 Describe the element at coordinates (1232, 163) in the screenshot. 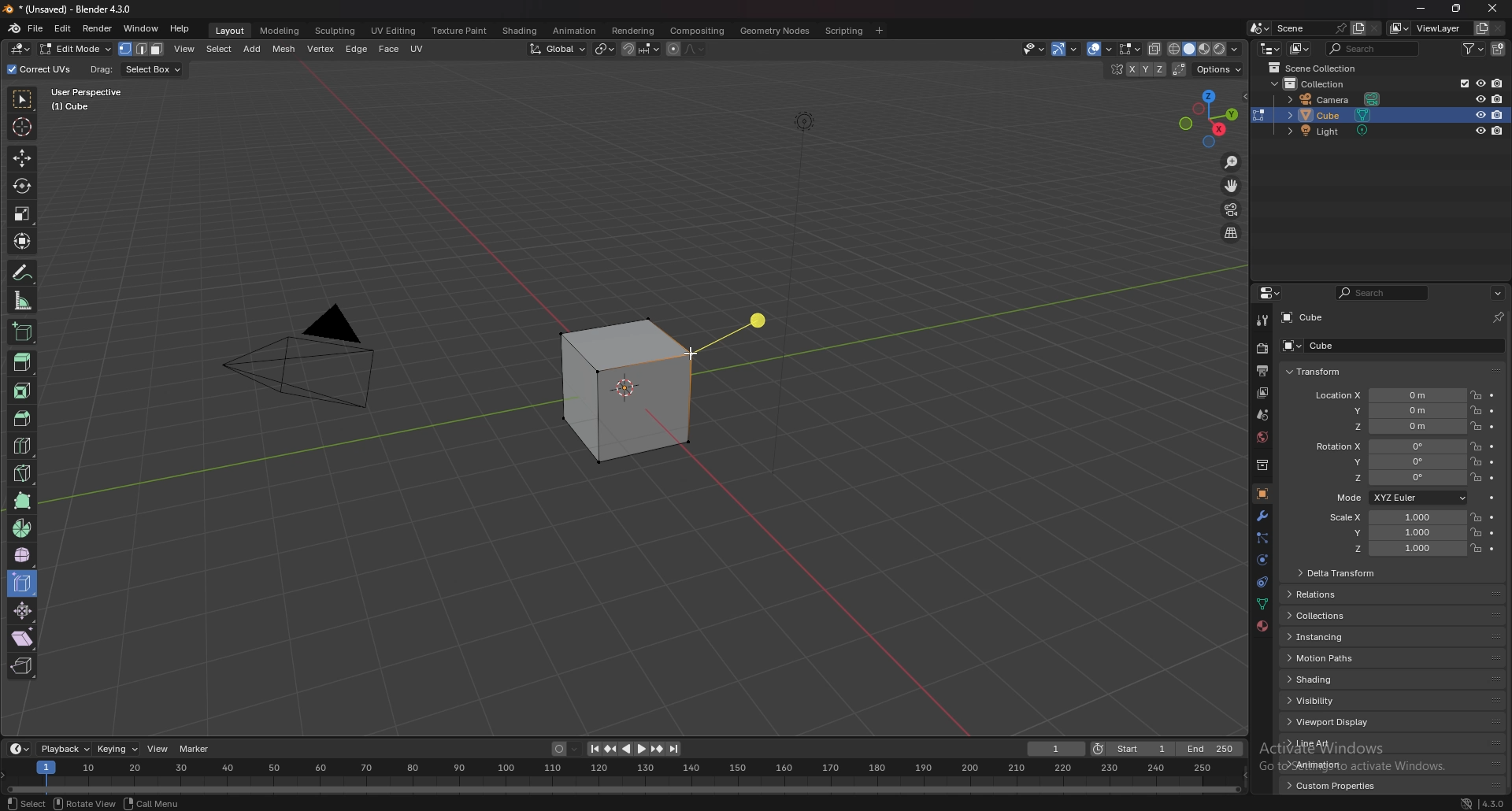

I see `zoom` at that location.